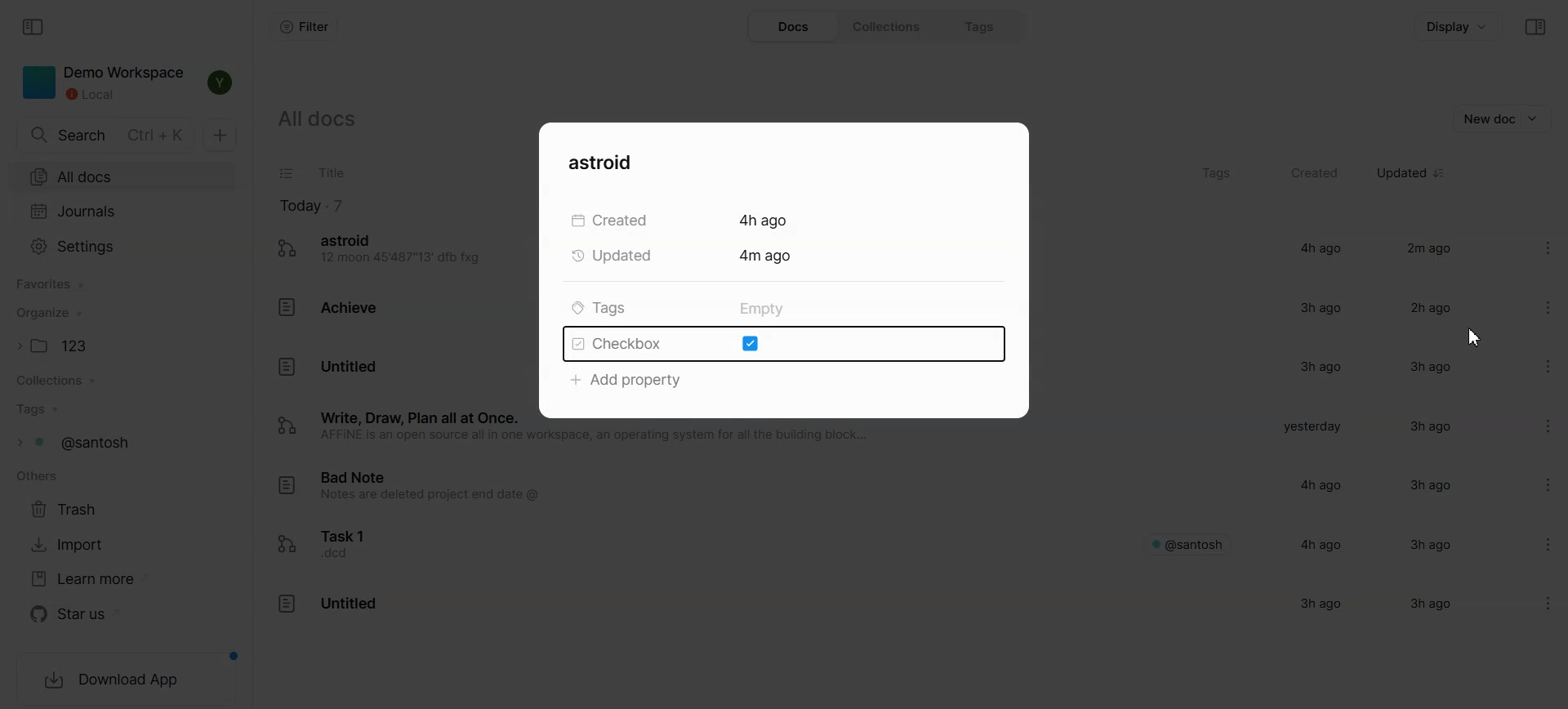 This screenshot has width=1568, height=709. Describe the element at coordinates (792, 27) in the screenshot. I see `Docs` at that location.